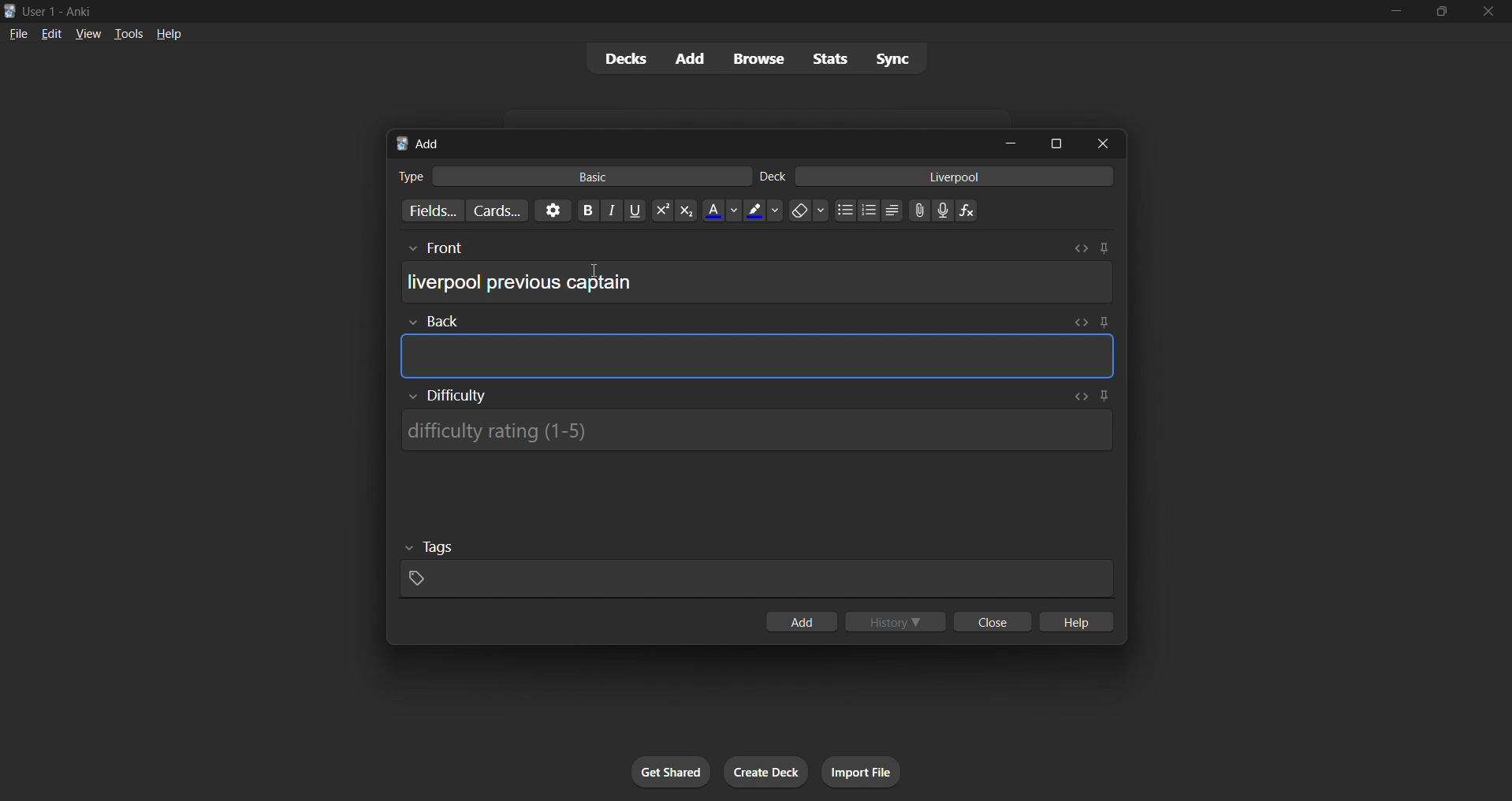  Describe the element at coordinates (47, 32) in the screenshot. I see `edit` at that location.